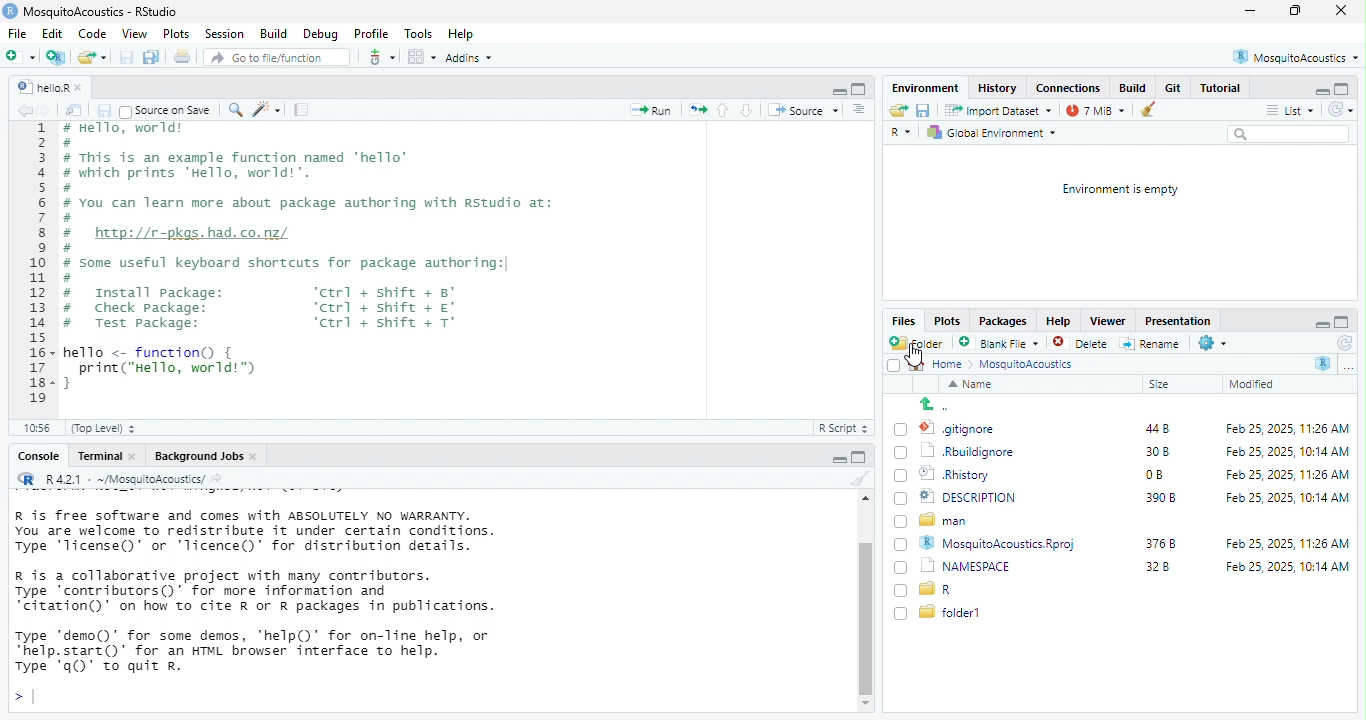 This screenshot has width=1366, height=720. What do you see at coordinates (1298, 56) in the screenshot?
I see `® MosquitoAcoustics *` at bounding box center [1298, 56].